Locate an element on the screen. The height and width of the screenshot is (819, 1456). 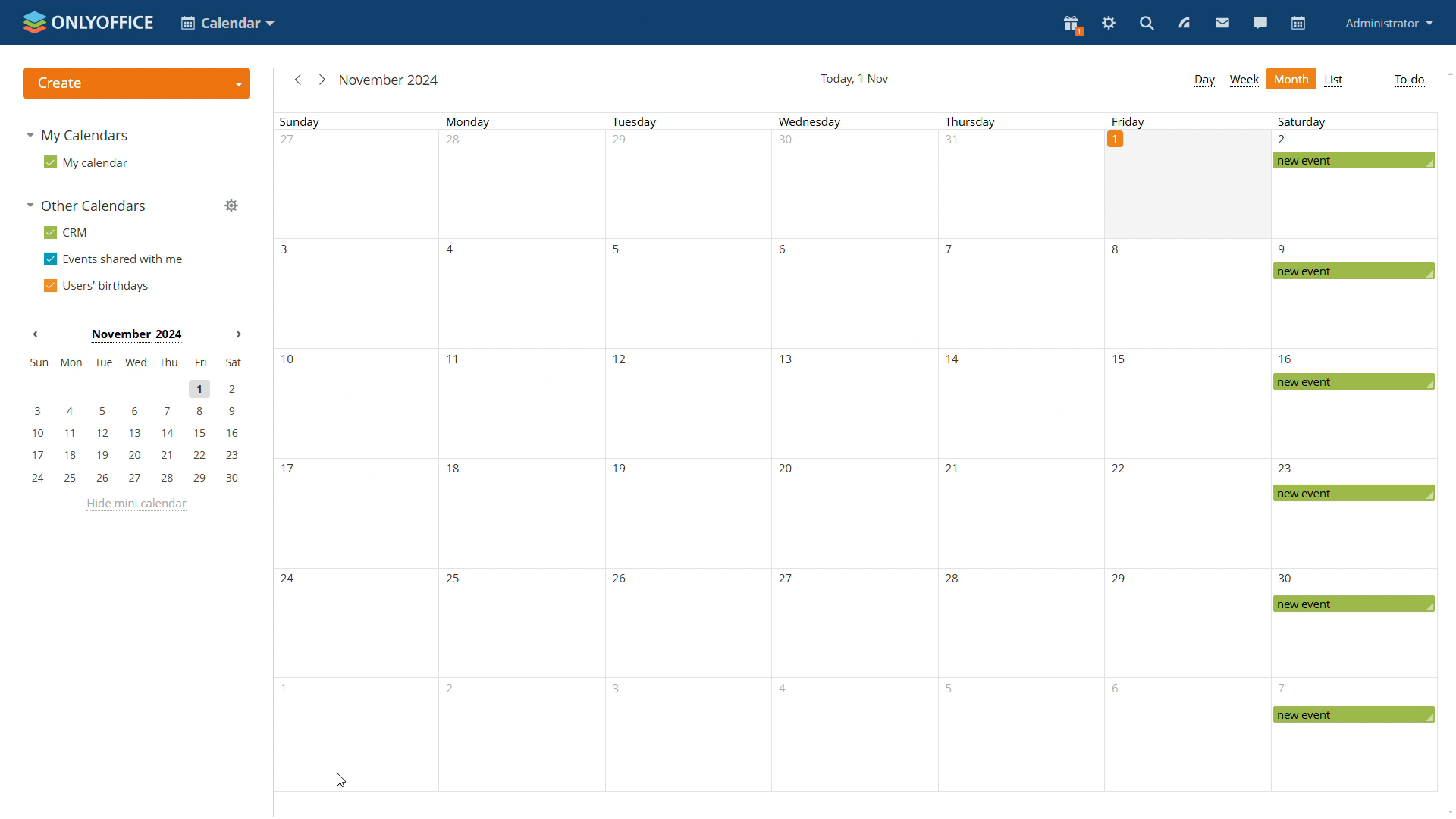
search is located at coordinates (1148, 23).